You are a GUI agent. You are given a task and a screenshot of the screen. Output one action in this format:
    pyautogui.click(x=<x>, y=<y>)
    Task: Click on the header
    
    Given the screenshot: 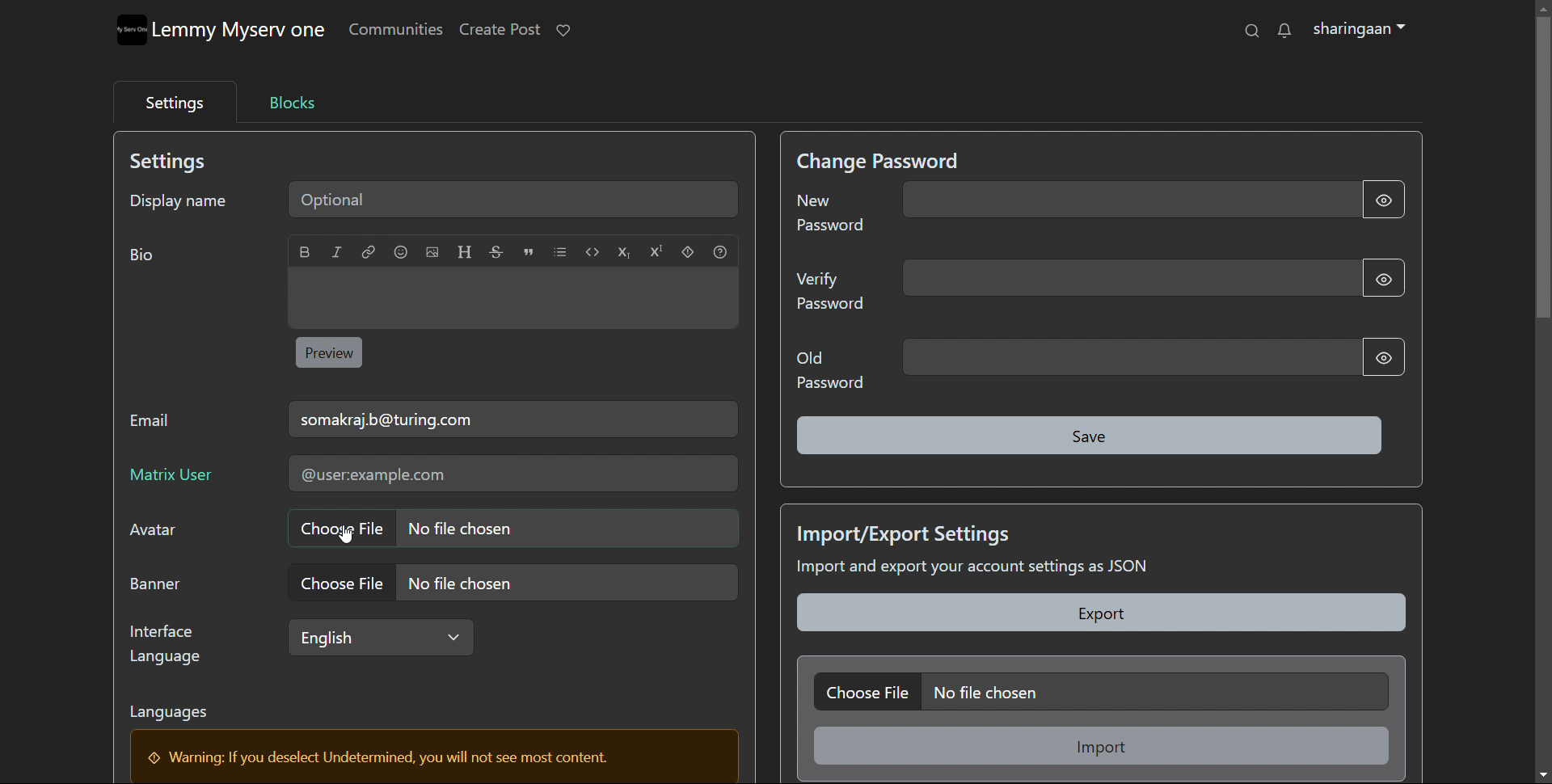 What is the action you would take?
    pyautogui.click(x=465, y=252)
    